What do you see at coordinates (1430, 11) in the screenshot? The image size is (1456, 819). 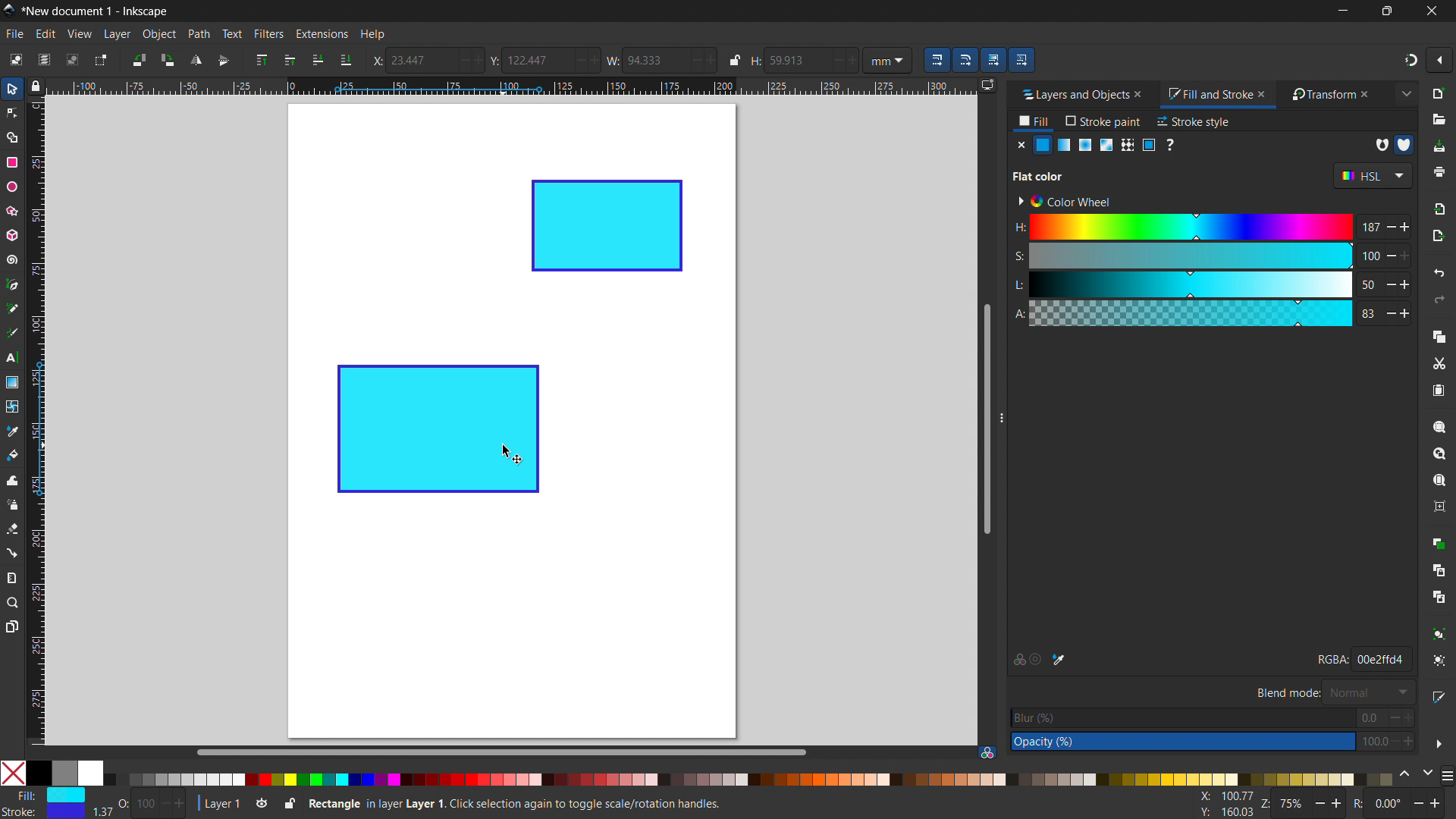 I see `close` at bounding box center [1430, 11].